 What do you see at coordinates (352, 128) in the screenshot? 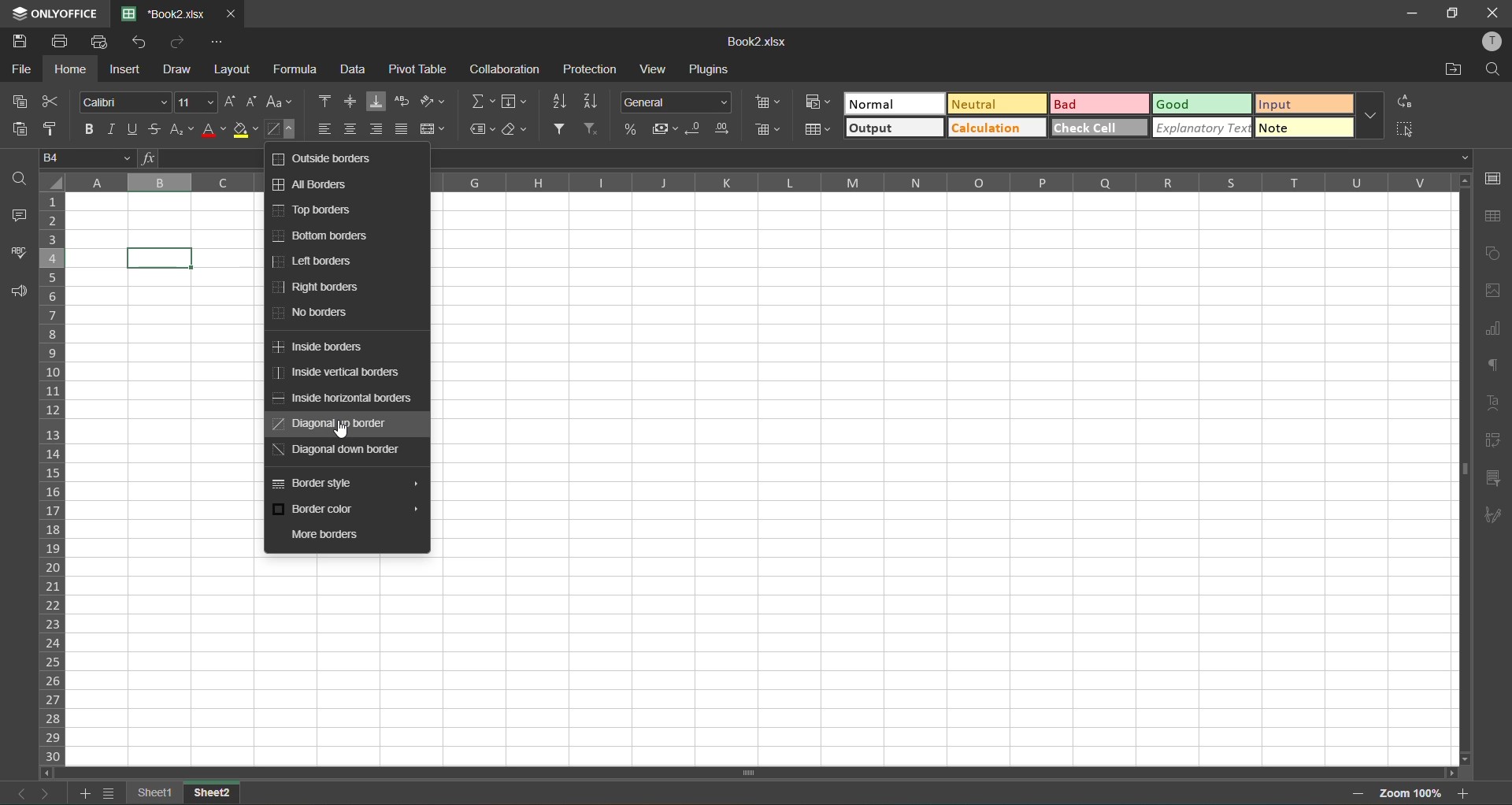
I see `align center` at bounding box center [352, 128].